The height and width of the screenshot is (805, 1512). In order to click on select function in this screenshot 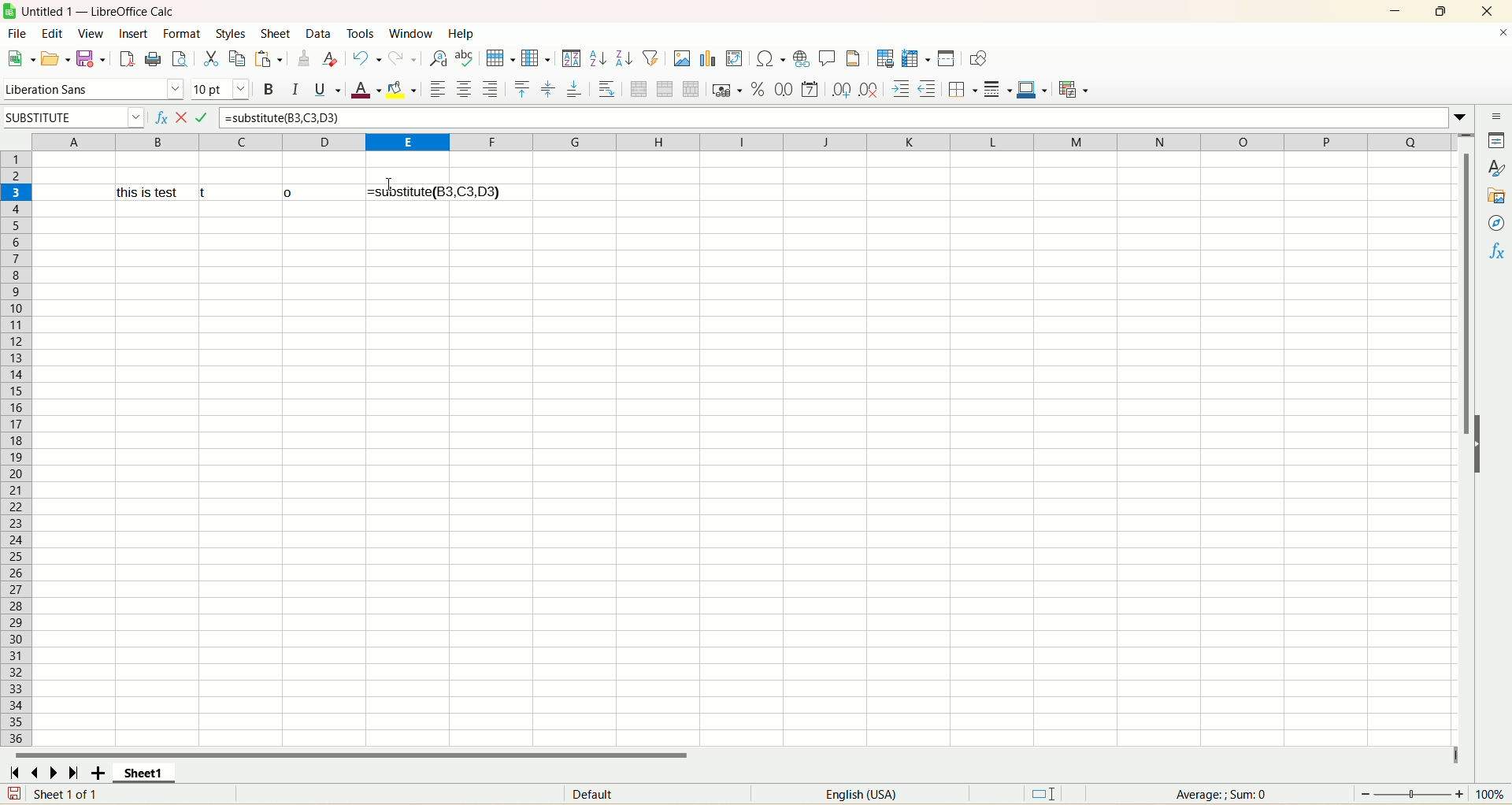, I will do `click(186, 120)`.